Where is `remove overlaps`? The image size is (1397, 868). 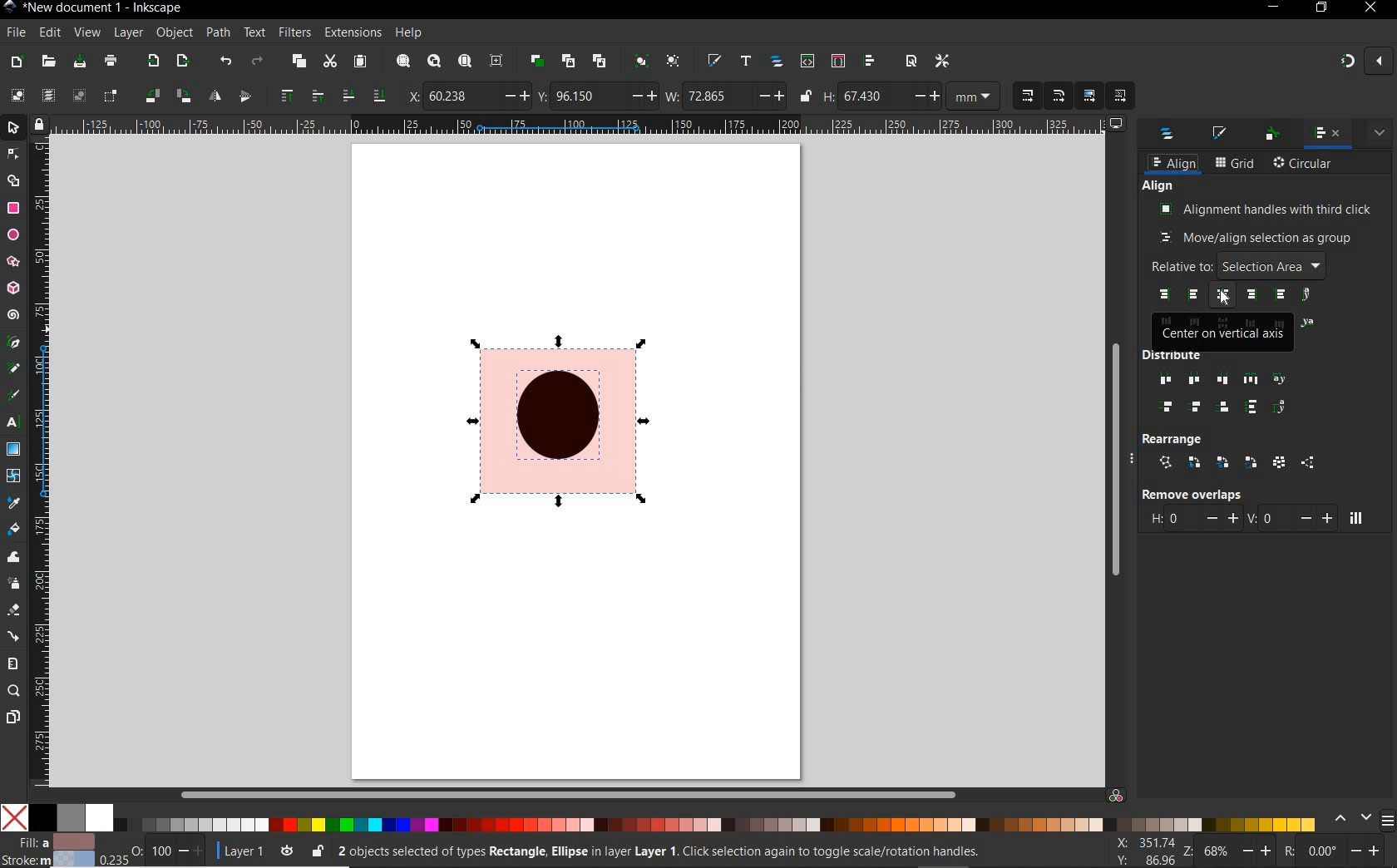
remove overlaps is located at coordinates (1191, 494).